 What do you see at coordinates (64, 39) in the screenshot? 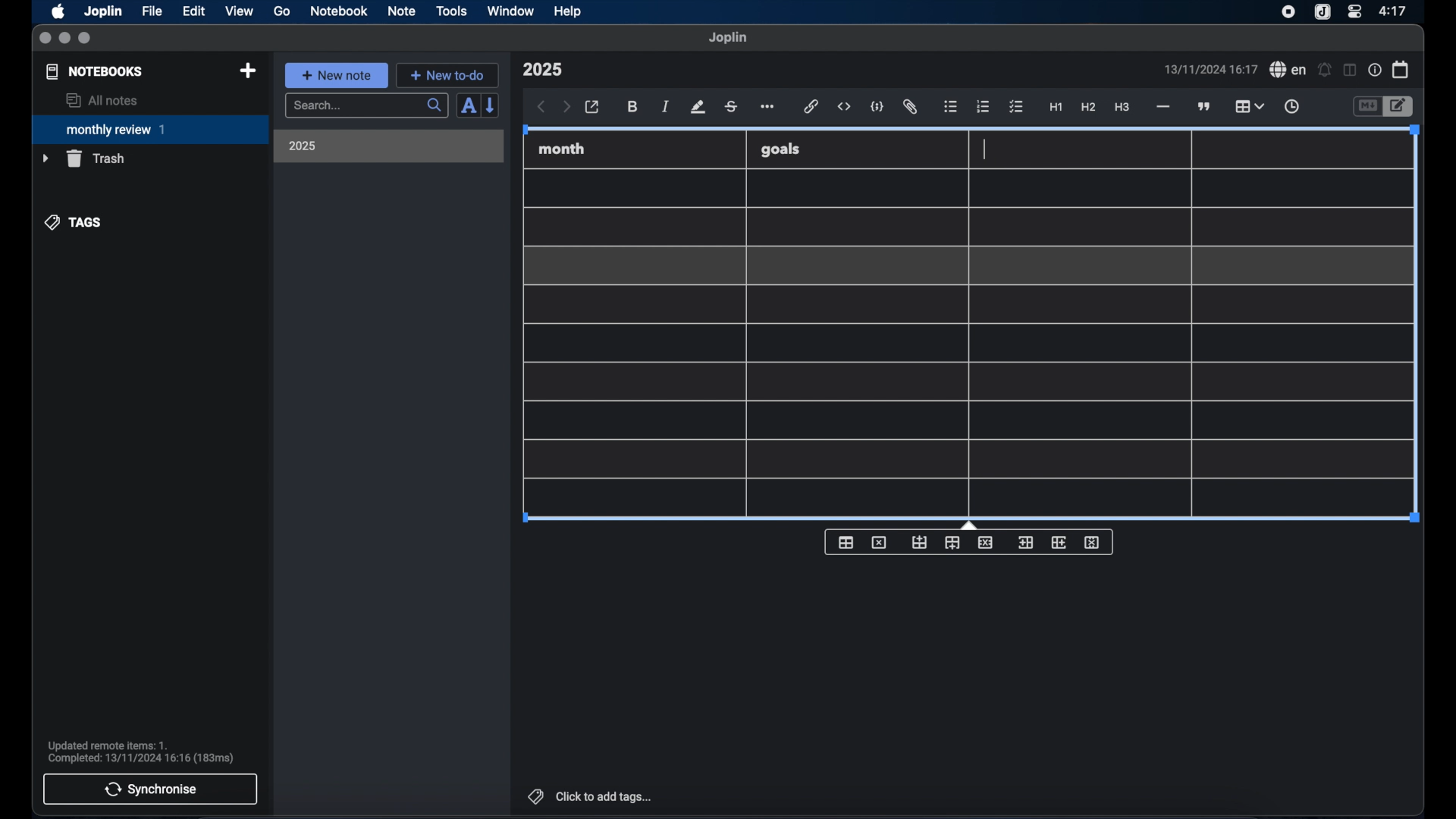
I see `minimize` at bounding box center [64, 39].